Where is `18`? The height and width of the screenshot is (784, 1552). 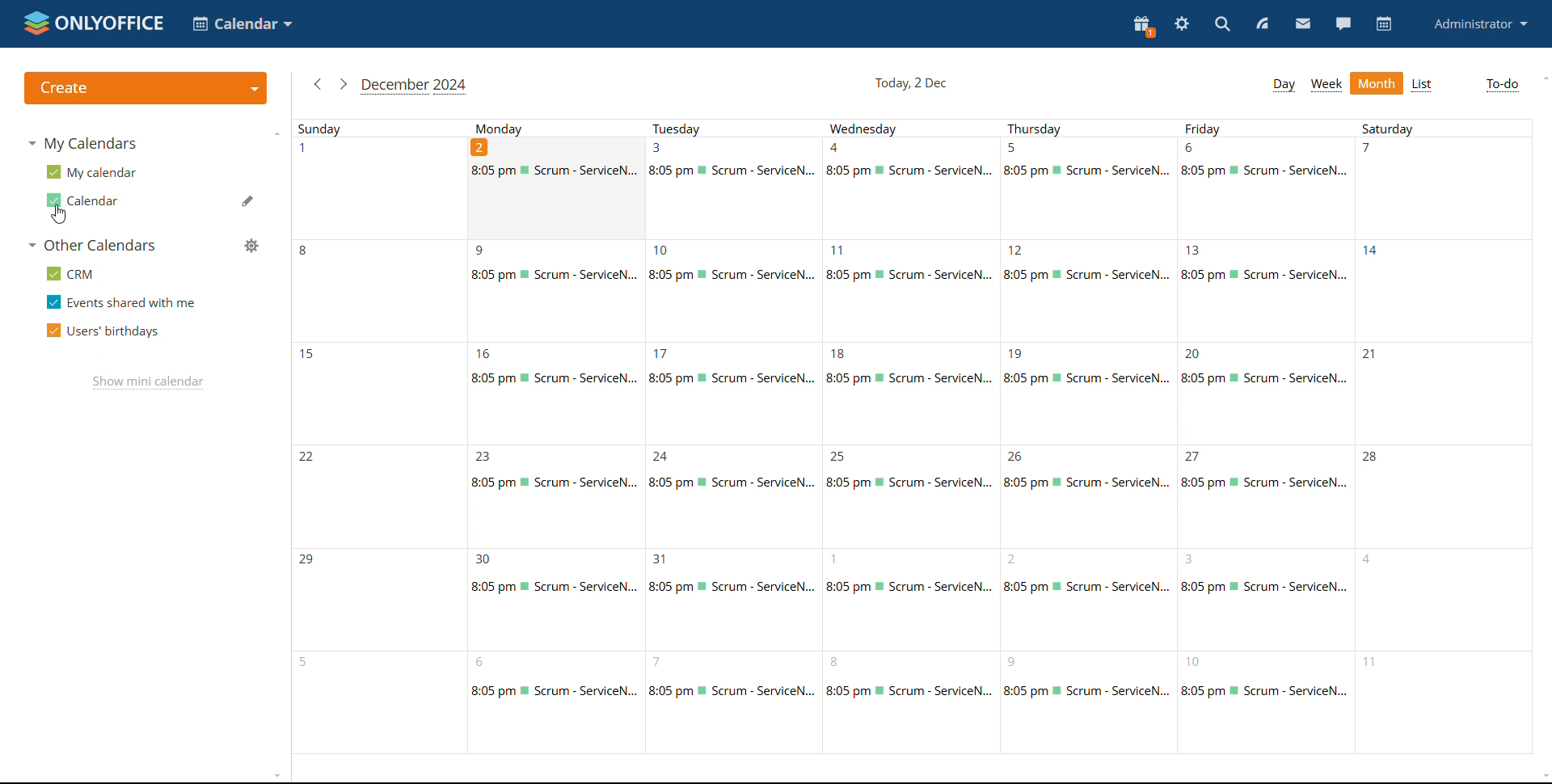
18 is located at coordinates (907, 394).